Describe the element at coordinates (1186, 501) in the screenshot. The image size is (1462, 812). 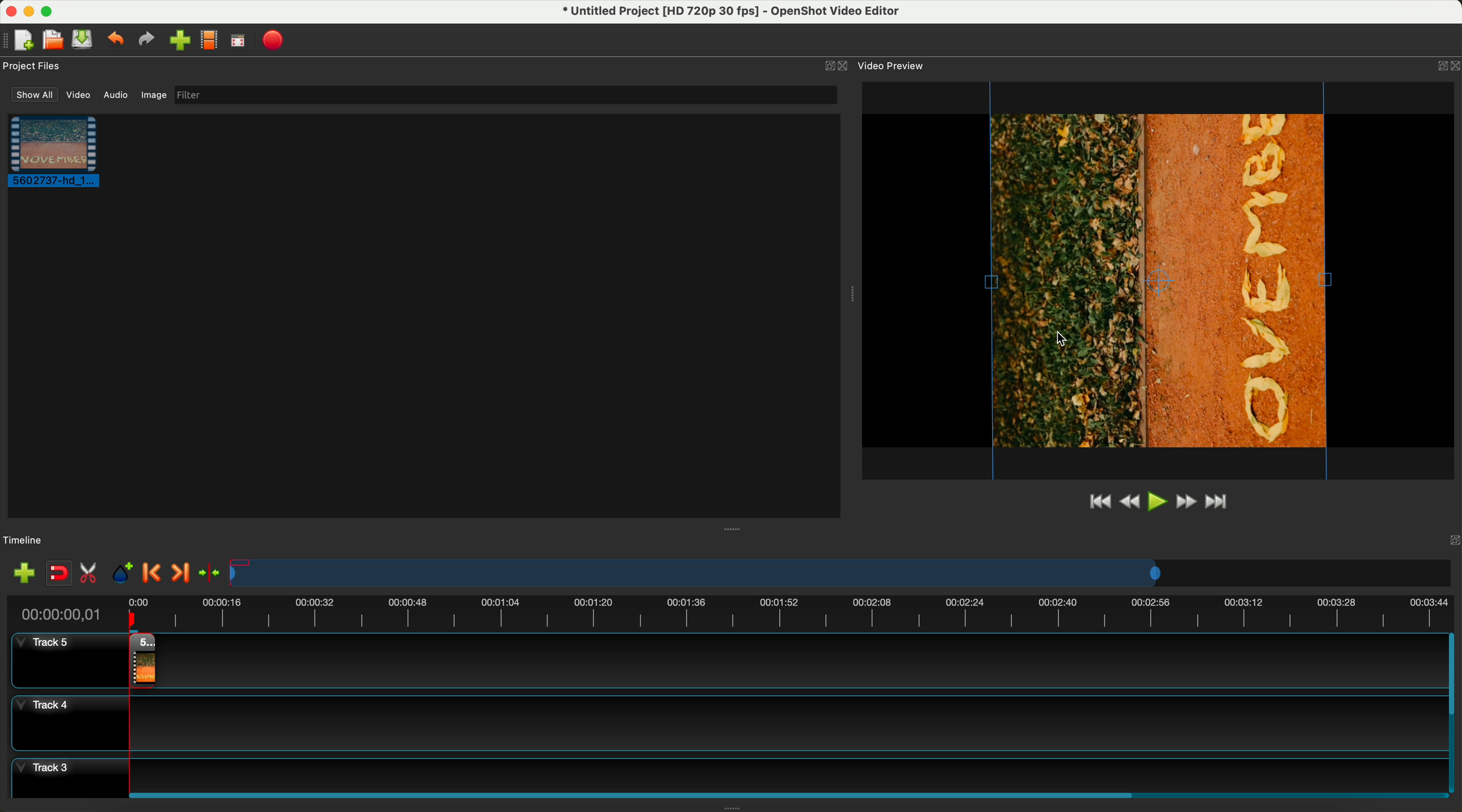
I see `fast foward` at that location.